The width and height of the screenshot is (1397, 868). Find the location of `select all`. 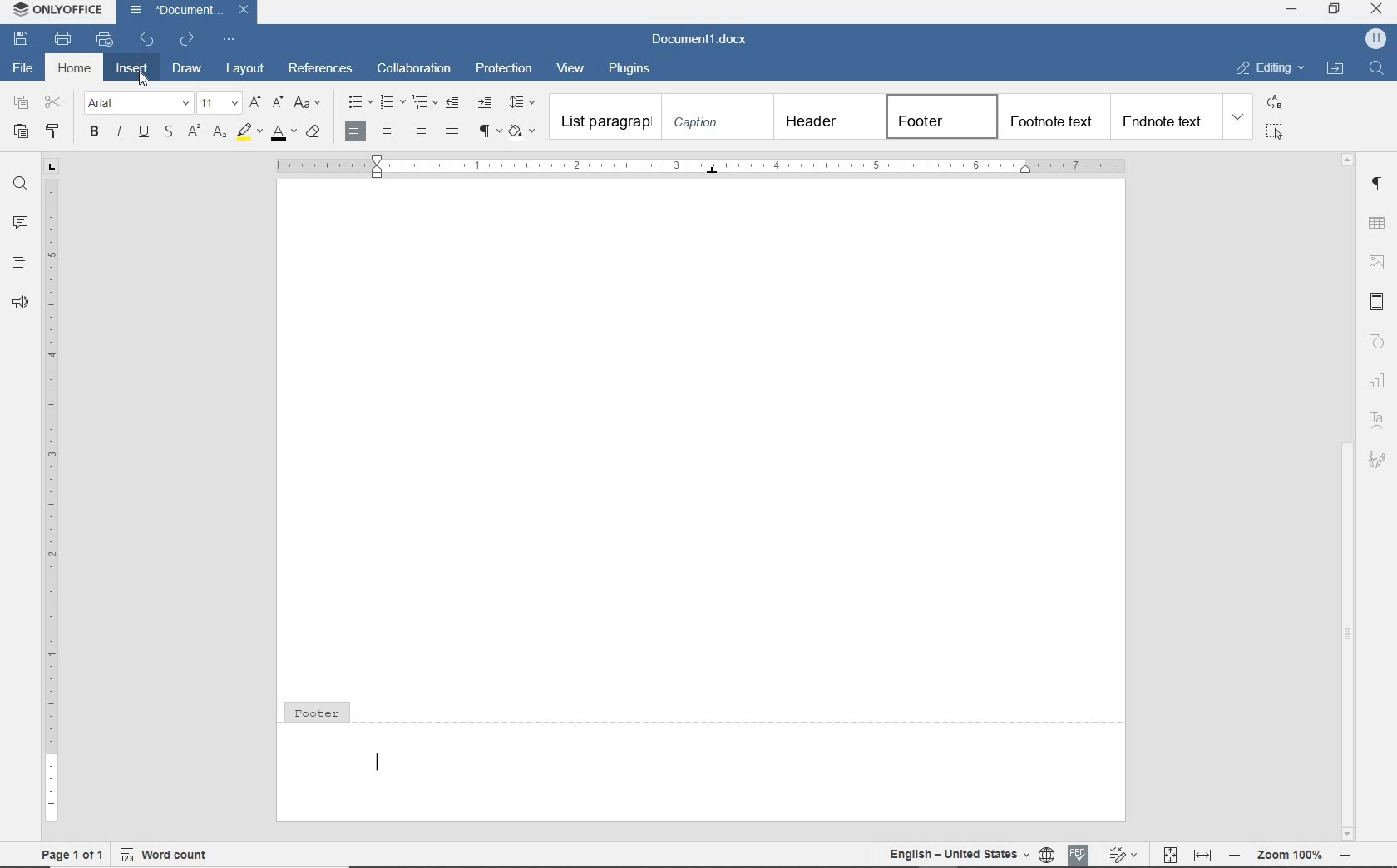

select all is located at coordinates (1273, 132).